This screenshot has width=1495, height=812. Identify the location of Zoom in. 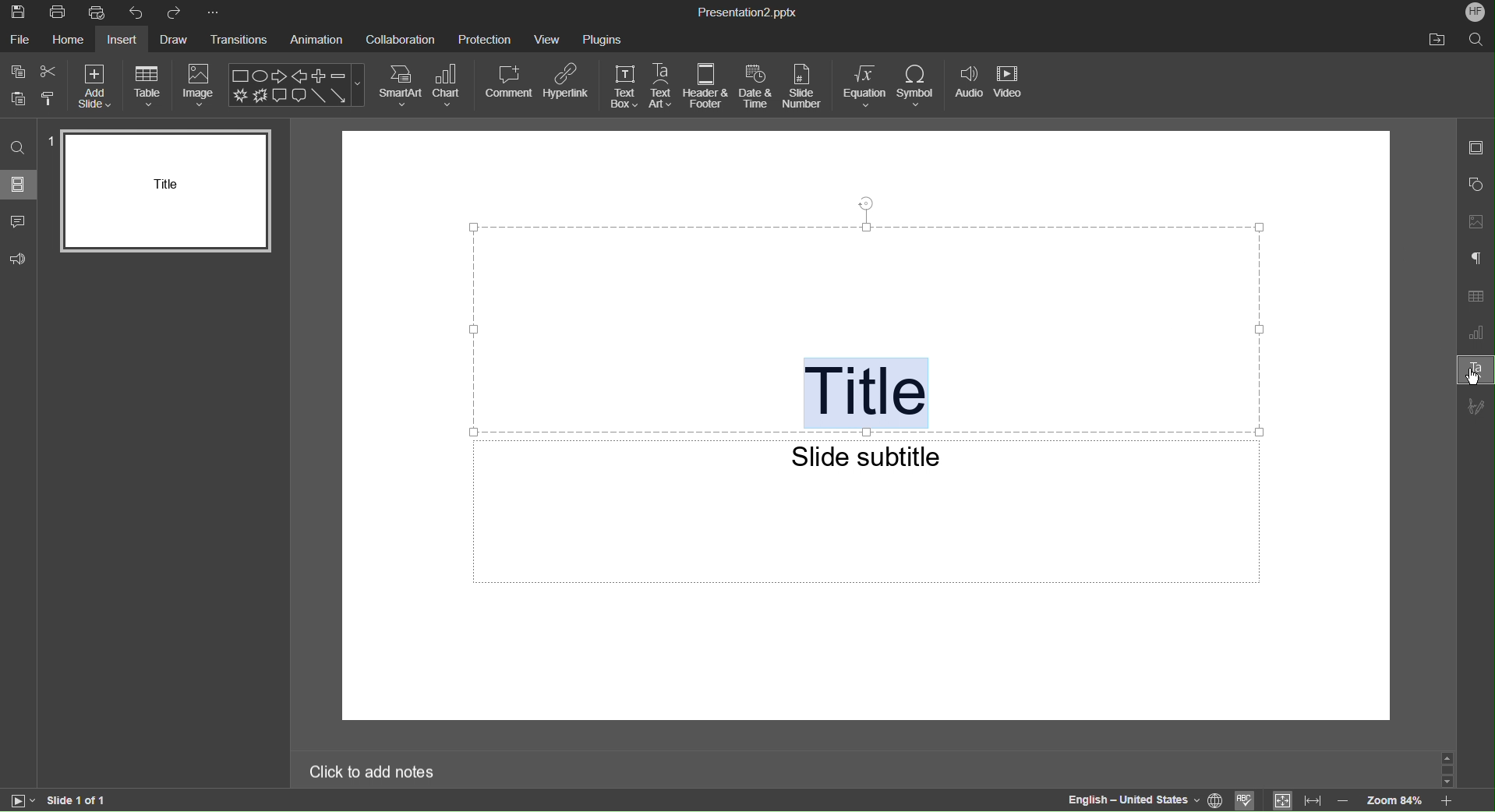
(1449, 802).